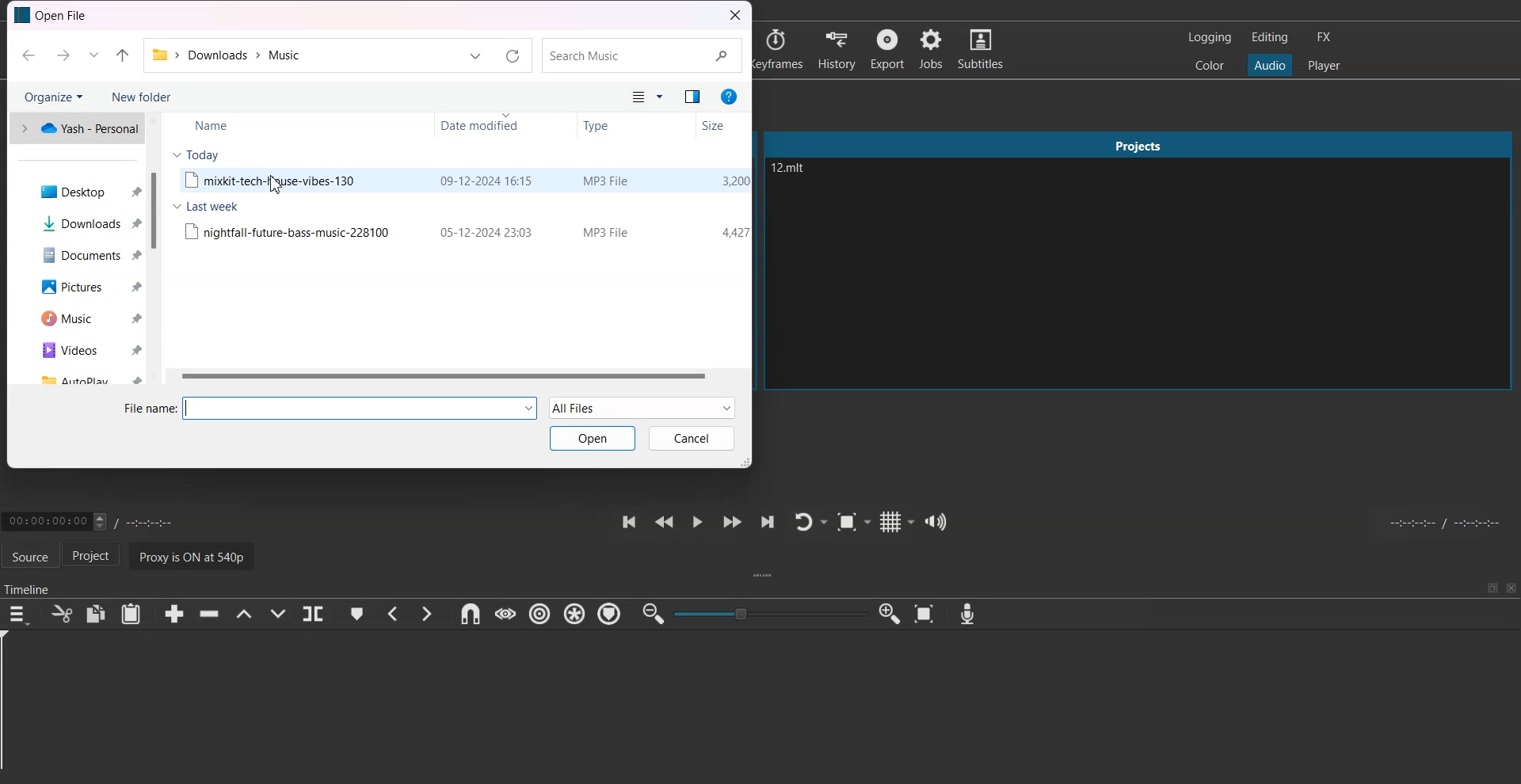 The height and width of the screenshot is (784, 1521). What do you see at coordinates (463, 230) in the screenshot?
I see `File` at bounding box center [463, 230].